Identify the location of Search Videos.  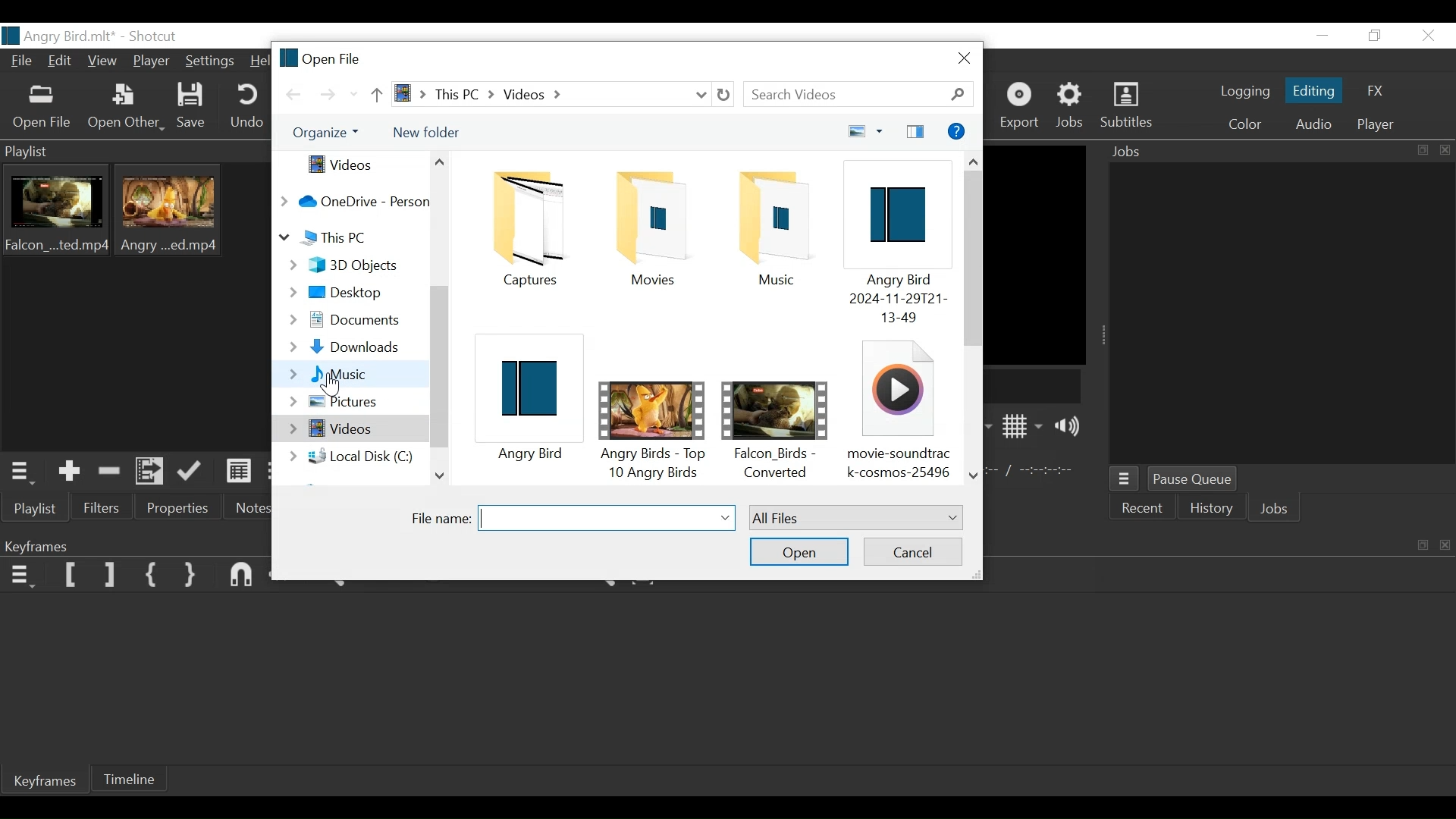
(859, 94).